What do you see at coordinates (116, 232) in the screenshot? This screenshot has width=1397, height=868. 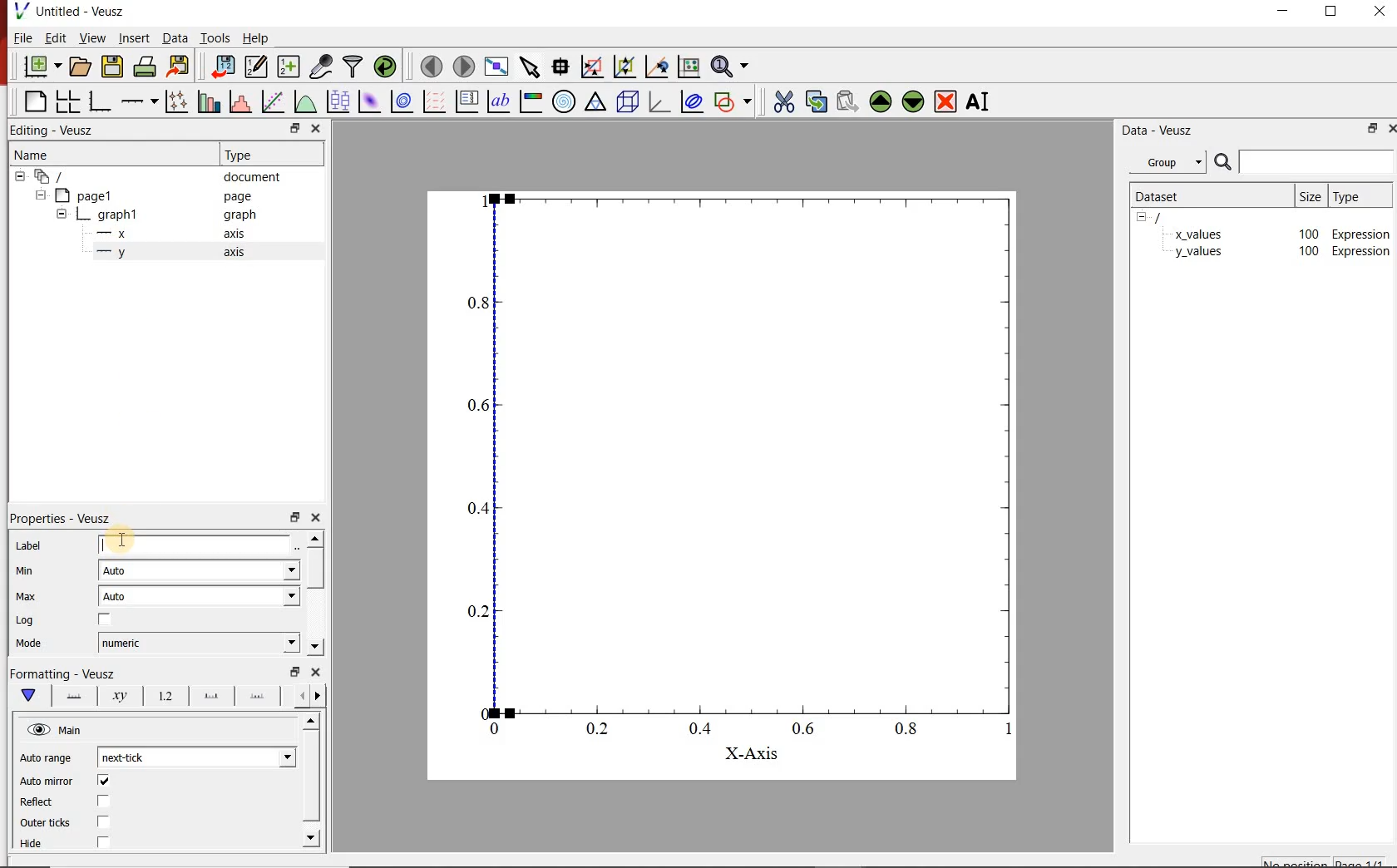 I see `—x` at bounding box center [116, 232].